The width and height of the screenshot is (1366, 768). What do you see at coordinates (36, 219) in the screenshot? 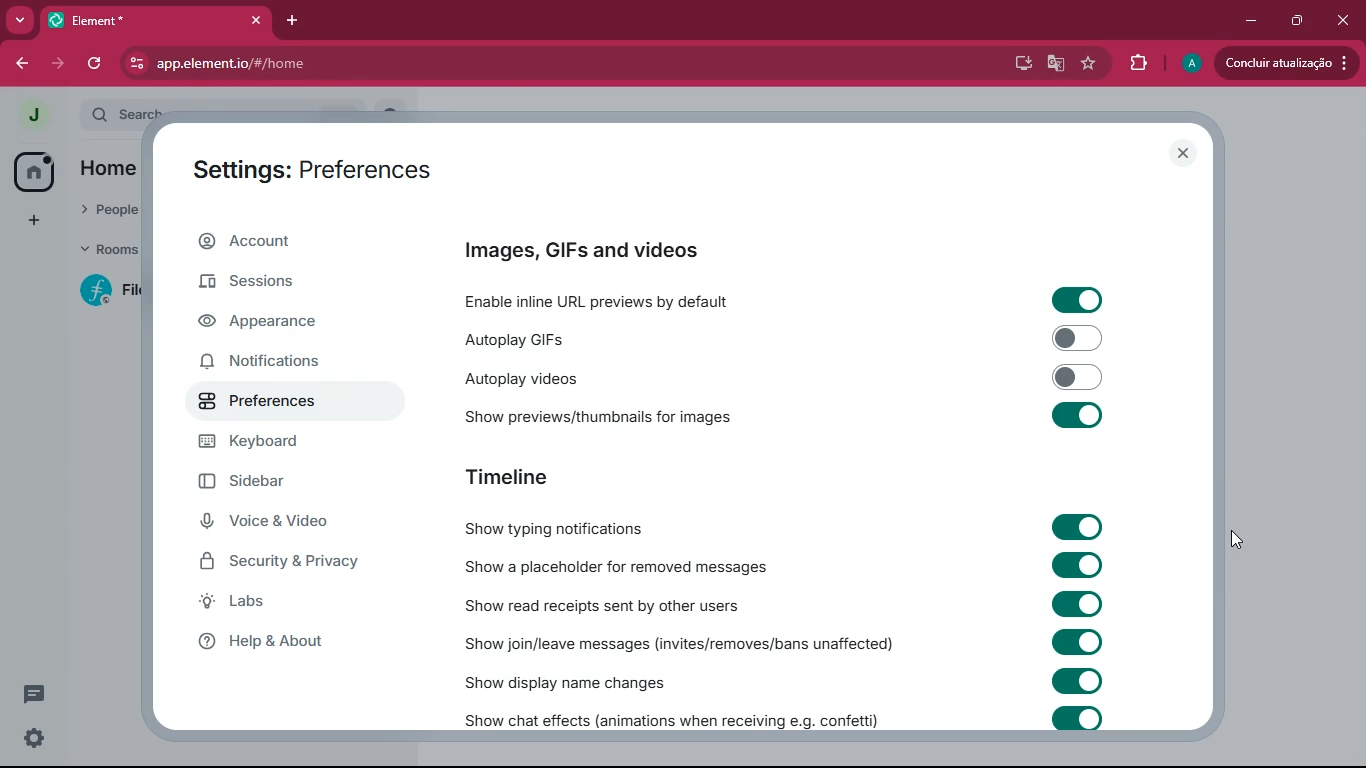
I see `more` at bounding box center [36, 219].